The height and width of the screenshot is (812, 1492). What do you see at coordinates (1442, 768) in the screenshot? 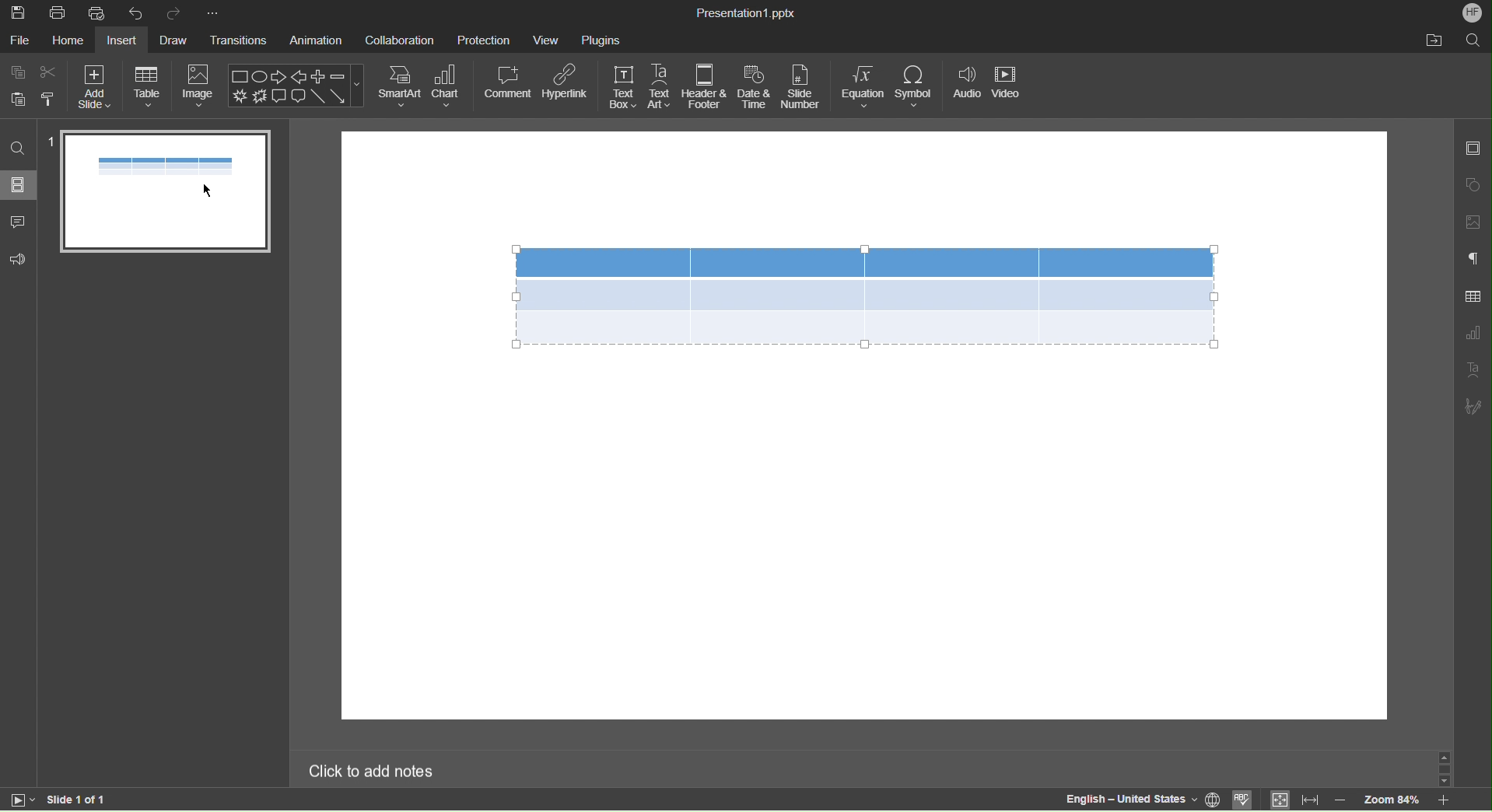
I see `scroll bar` at bounding box center [1442, 768].